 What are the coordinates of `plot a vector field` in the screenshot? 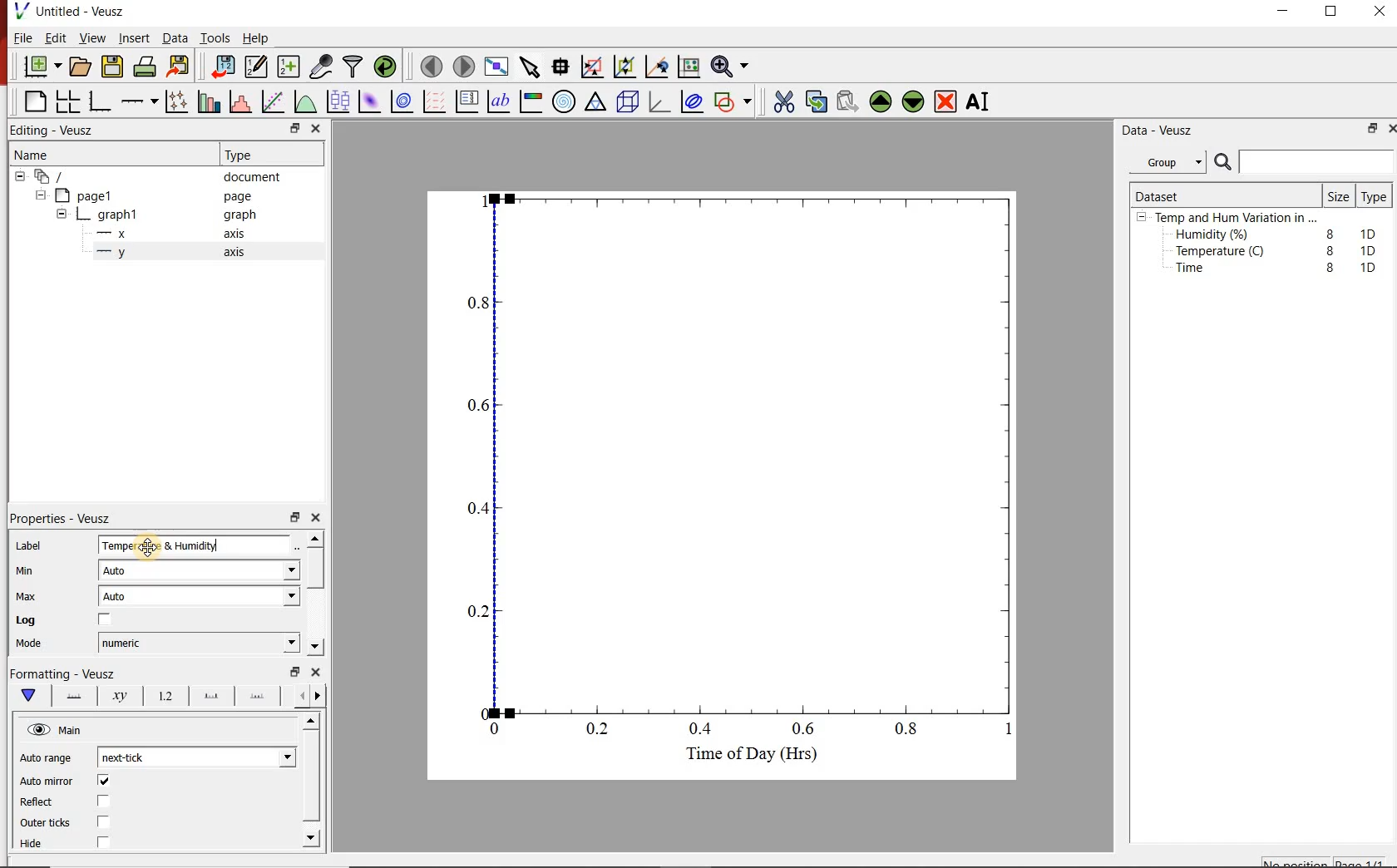 It's located at (435, 101).